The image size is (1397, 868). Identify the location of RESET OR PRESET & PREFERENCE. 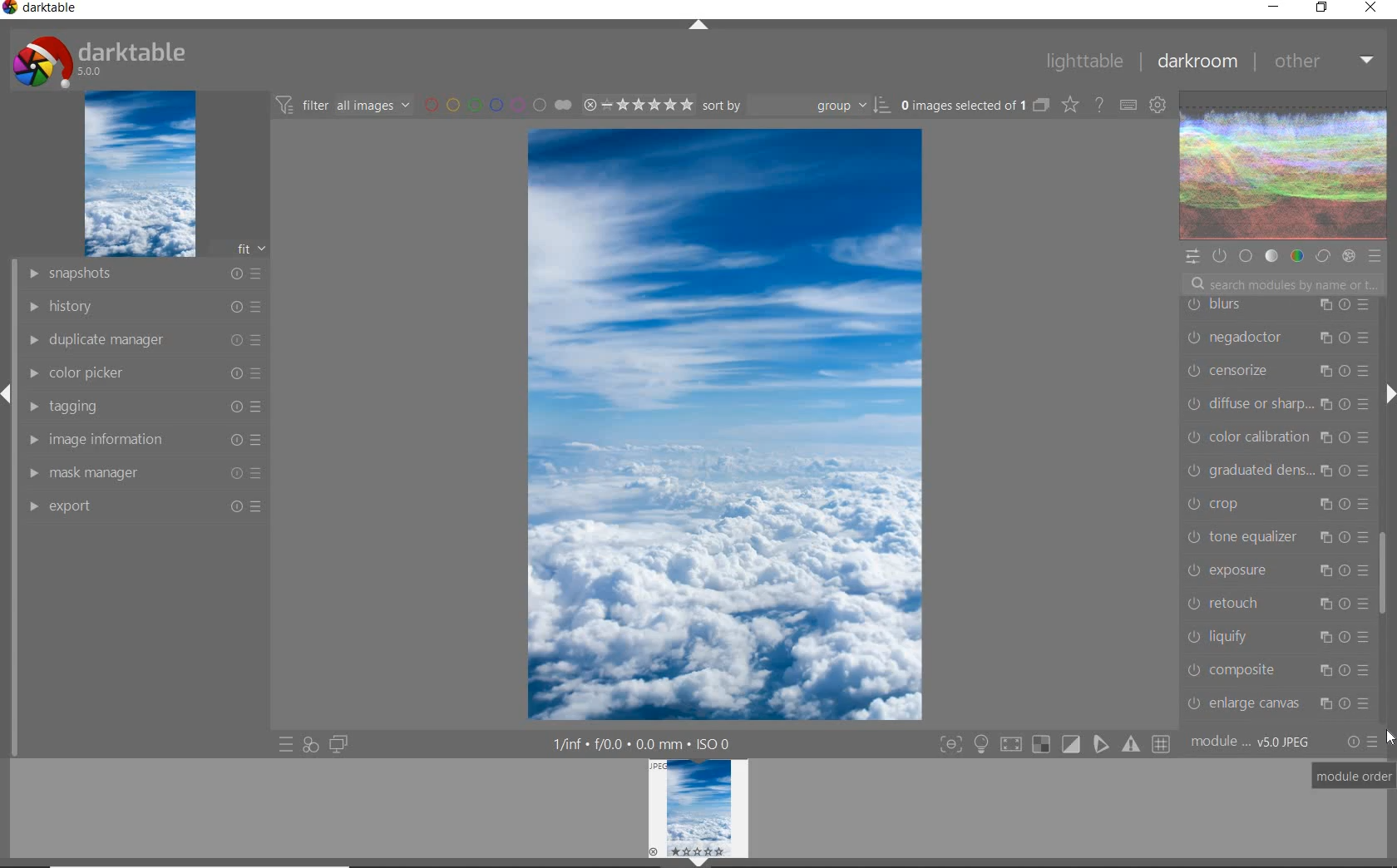
(1361, 741).